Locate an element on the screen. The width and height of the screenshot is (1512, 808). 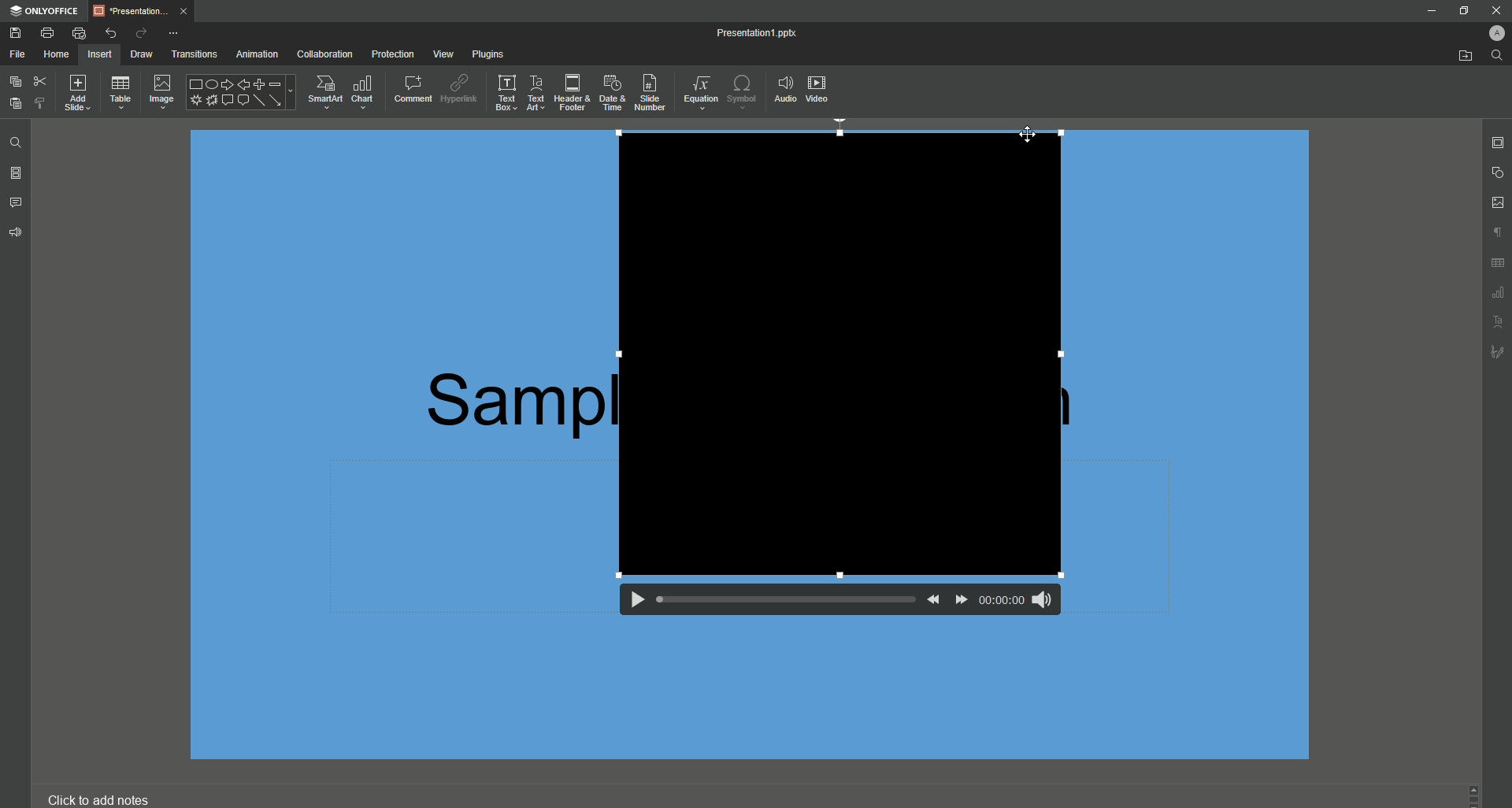
View is located at coordinates (444, 54).